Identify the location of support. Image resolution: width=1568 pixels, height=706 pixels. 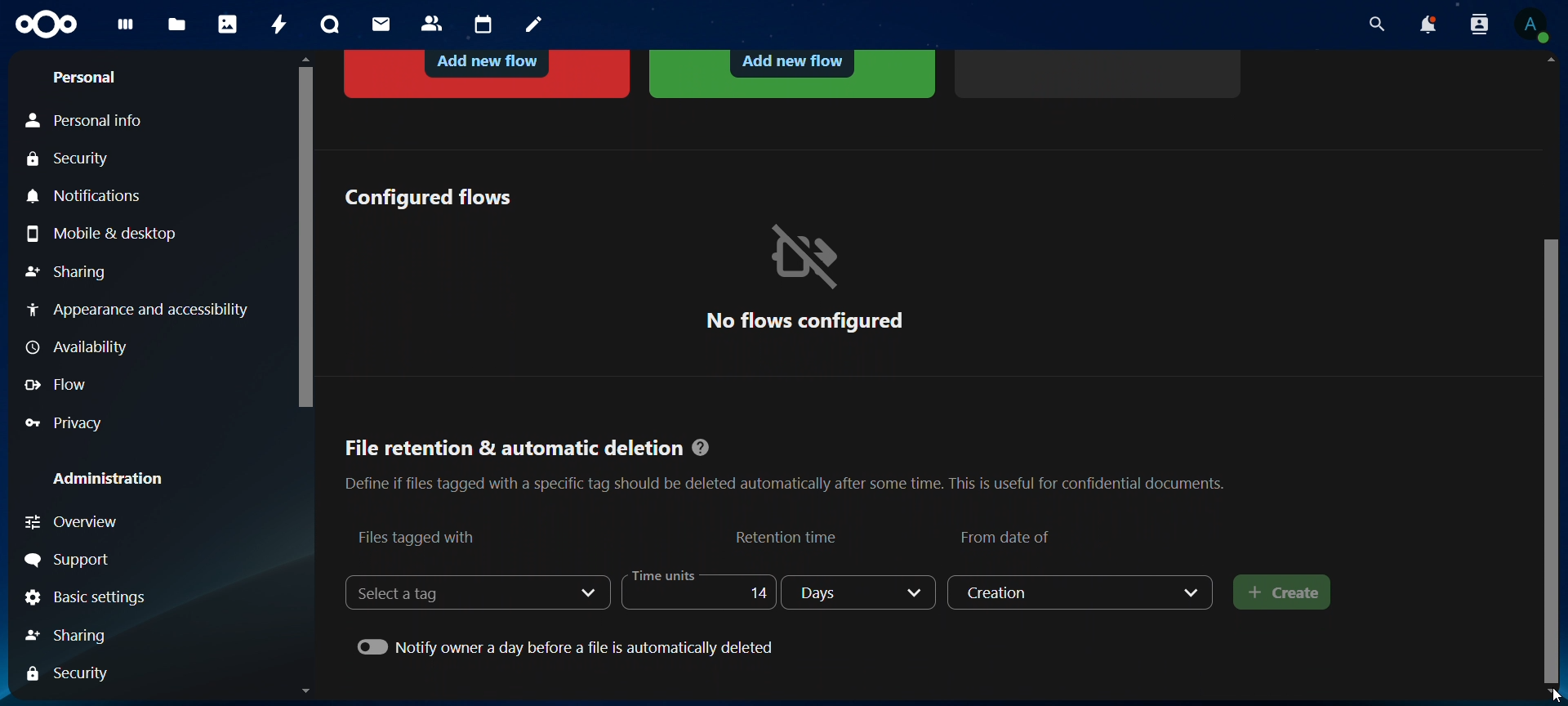
(72, 561).